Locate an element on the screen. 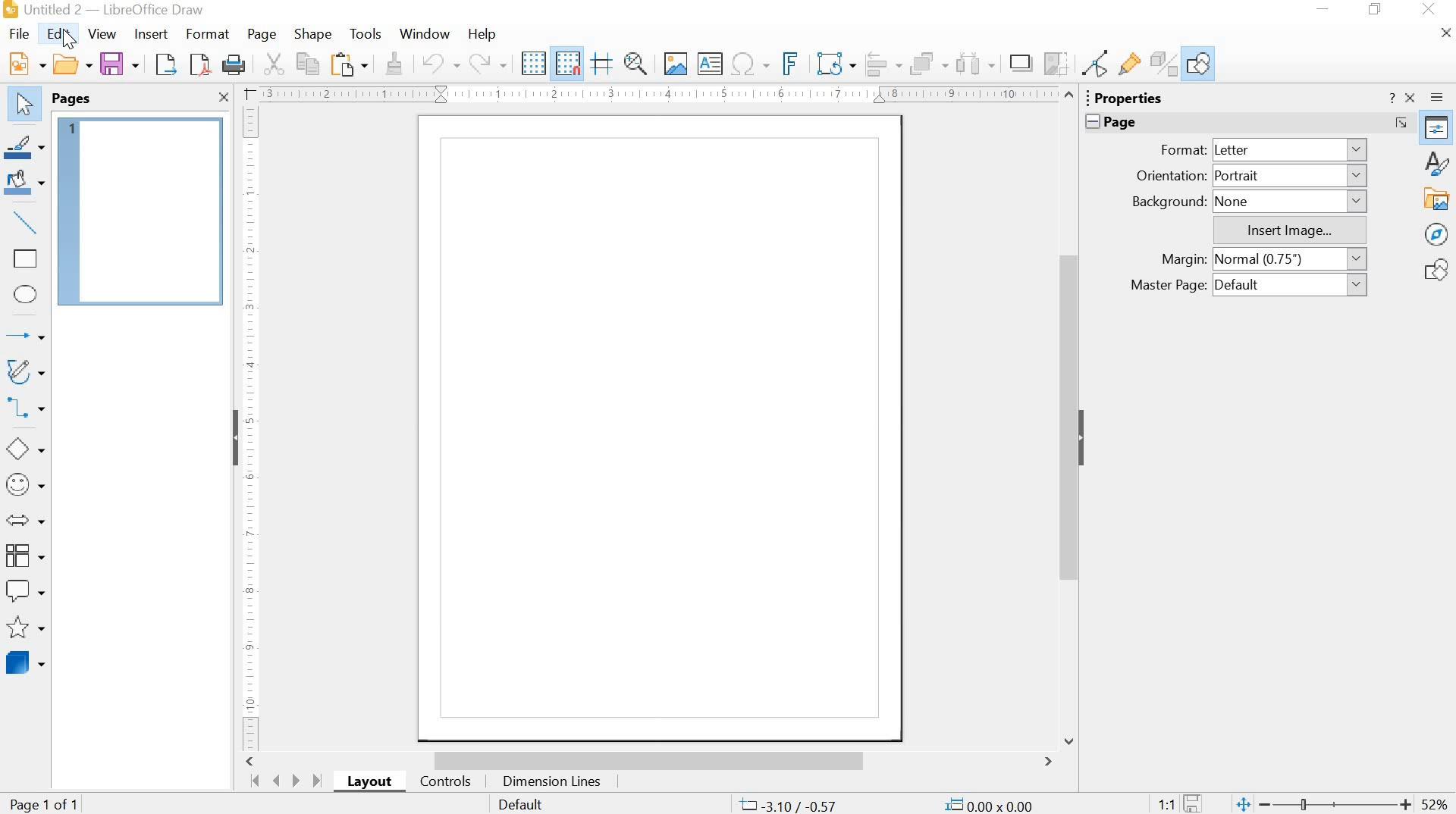 The width and height of the screenshot is (1456, 814). Master Page is located at coordinates (1172, 286).